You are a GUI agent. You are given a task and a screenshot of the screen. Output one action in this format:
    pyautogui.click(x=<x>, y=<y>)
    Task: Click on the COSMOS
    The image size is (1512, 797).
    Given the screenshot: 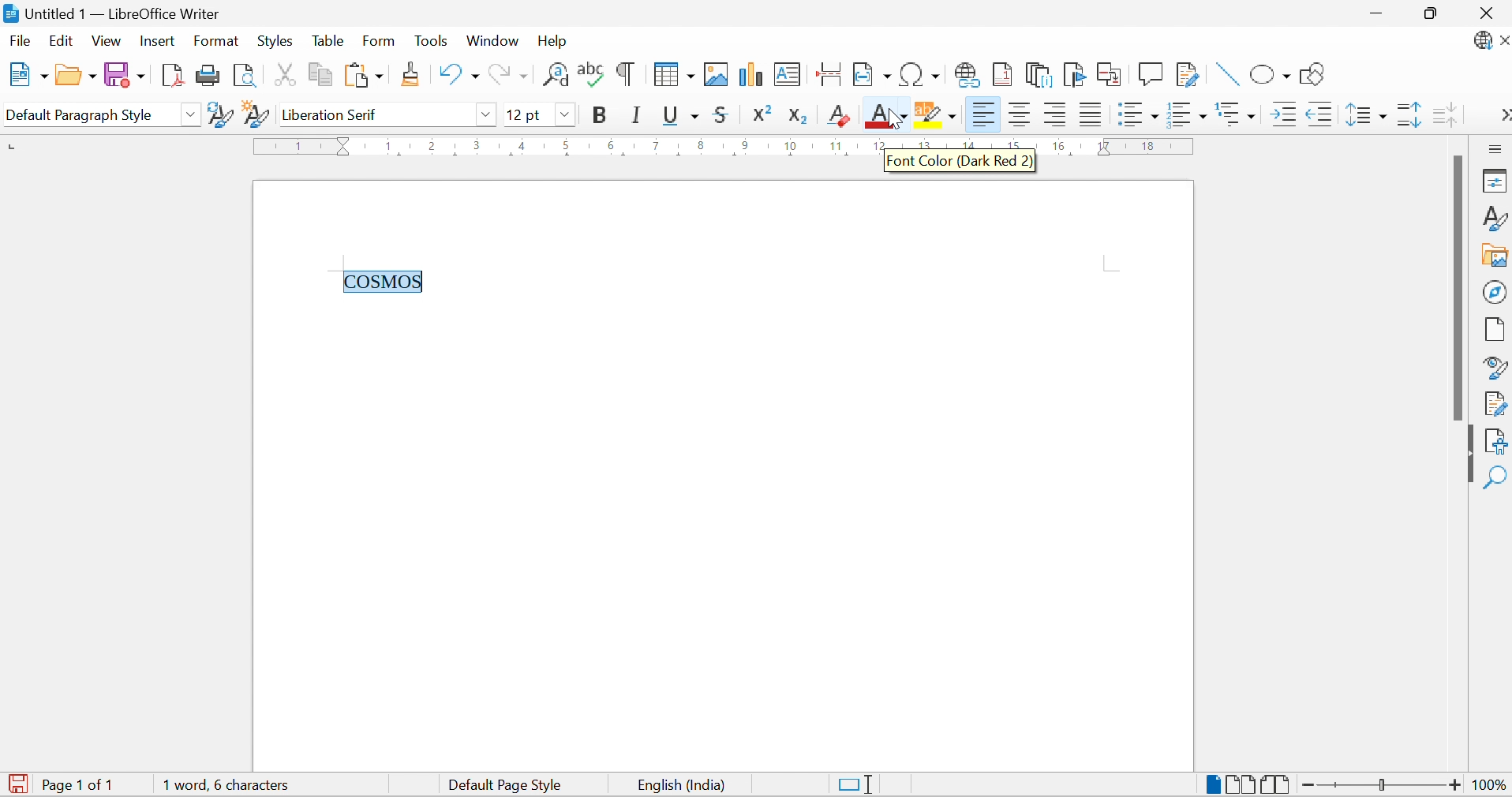 What is the action you would take?
    pyautogui.click(x=385, y=281)
    